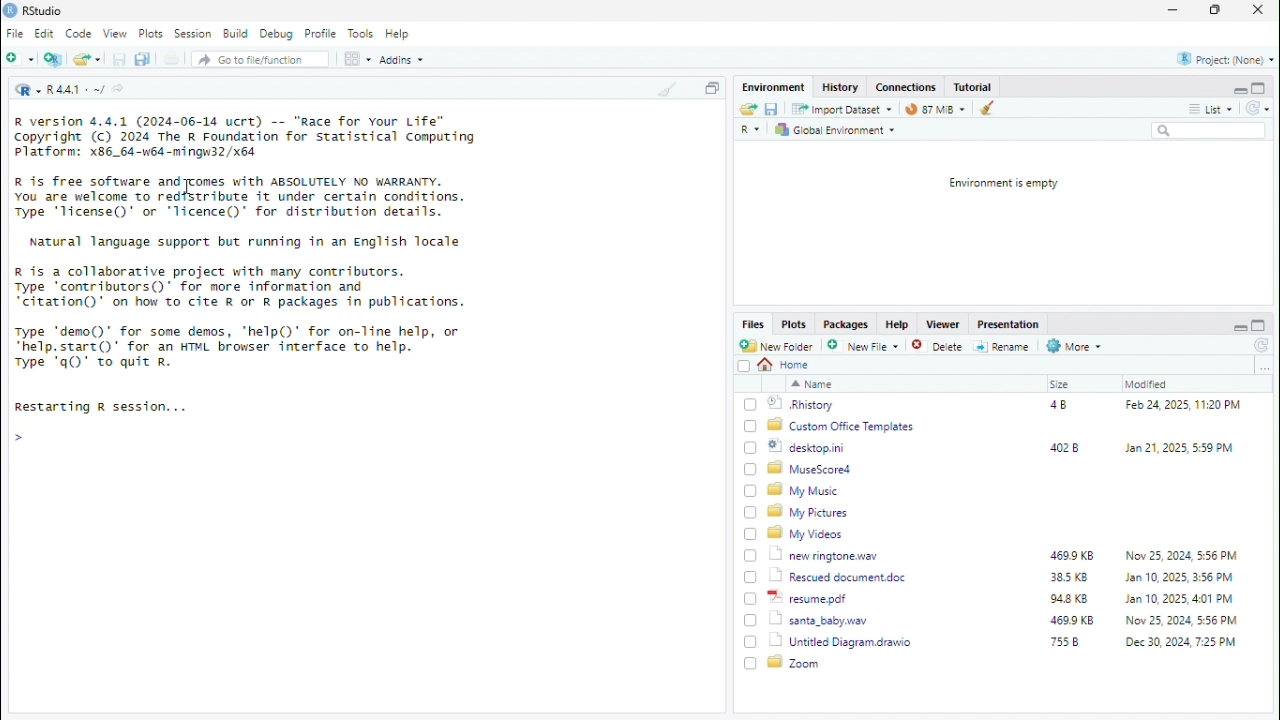 The width and height of the screenshot is (1280, 720). Describe the element at coordinates (43, 12) in the screenshot. I see `RStudio` at that location.